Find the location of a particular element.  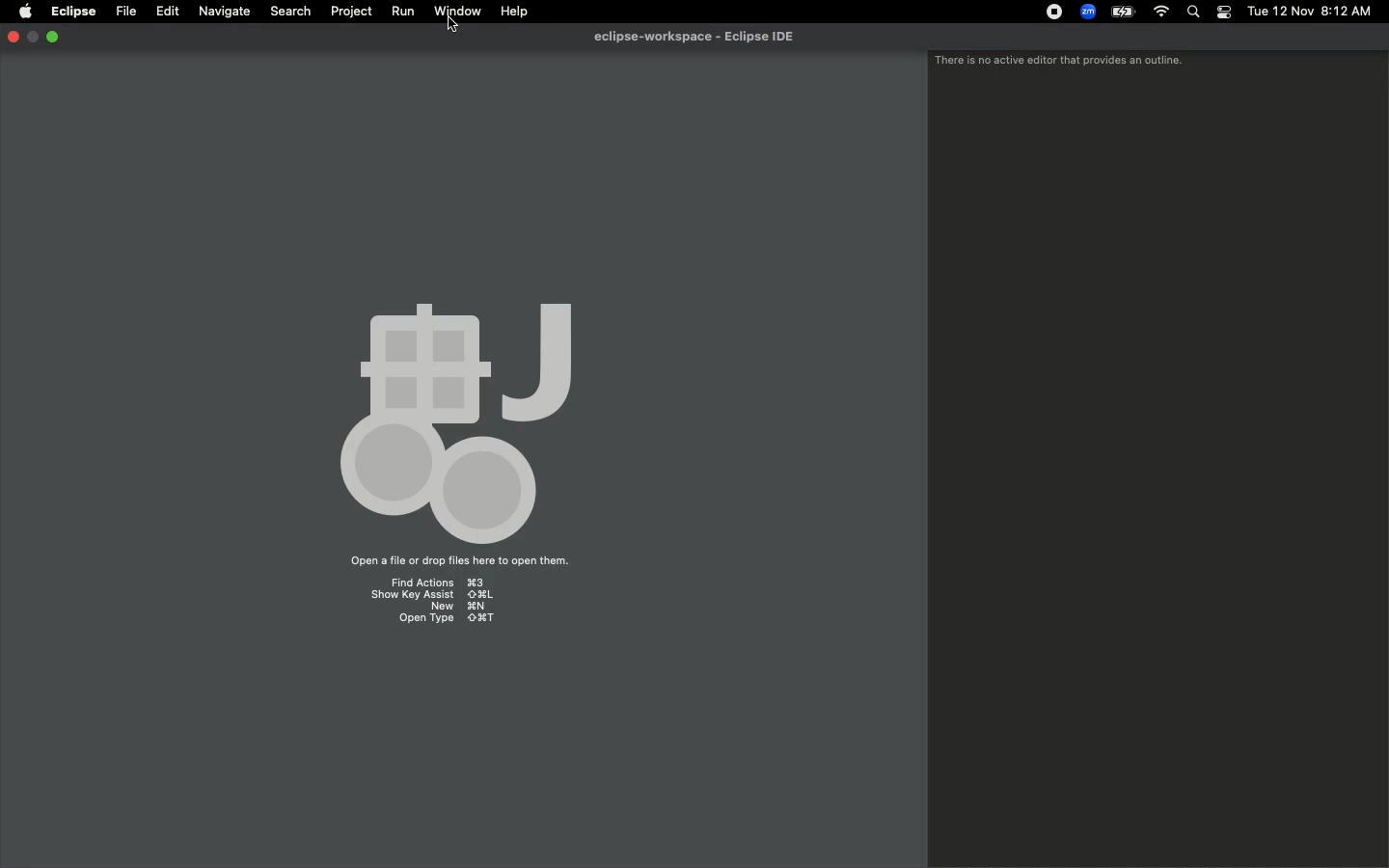

Minimize is located at coordinates (33, 38).